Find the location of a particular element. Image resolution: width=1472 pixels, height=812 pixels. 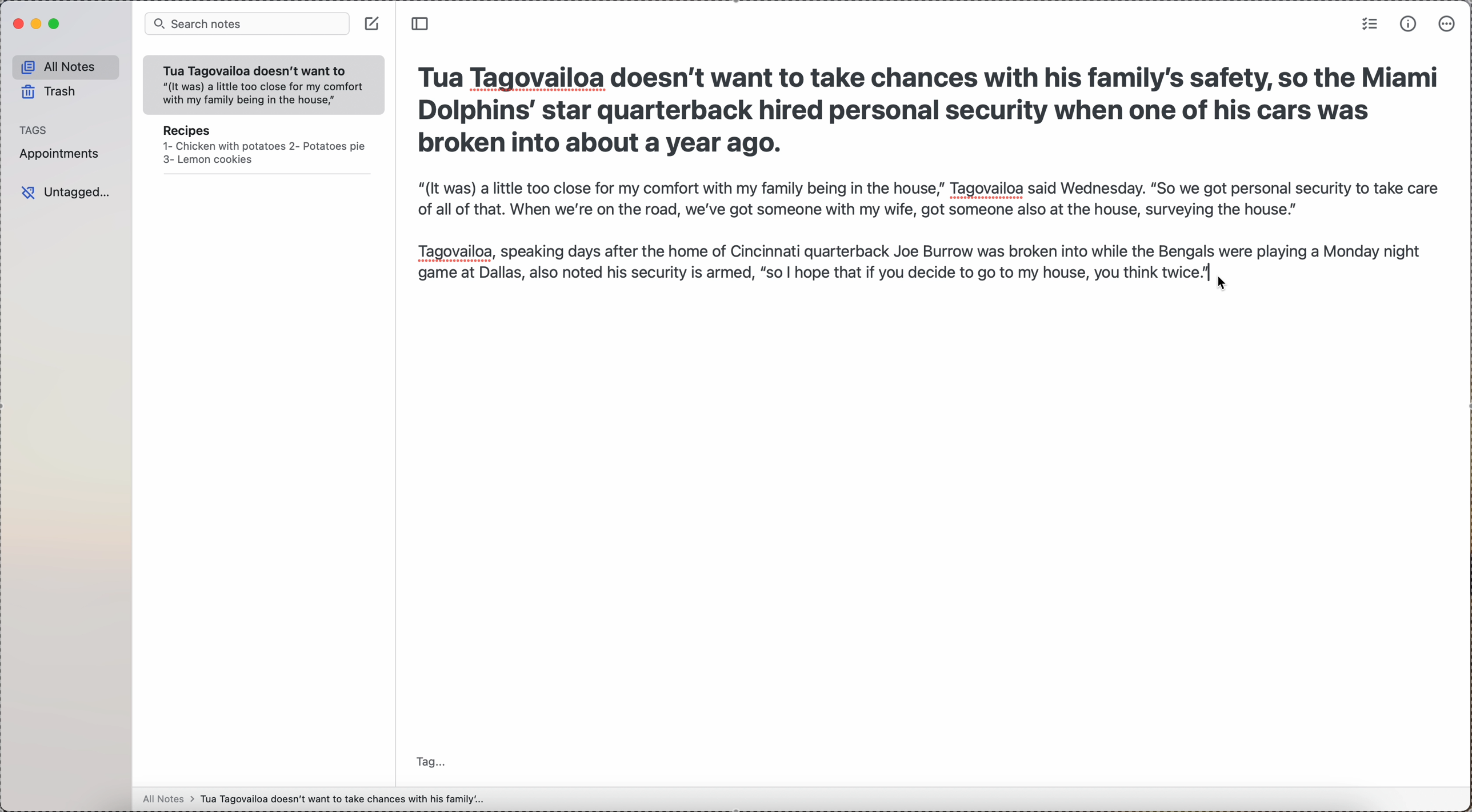

check list is located at coordinates (1369, 25).